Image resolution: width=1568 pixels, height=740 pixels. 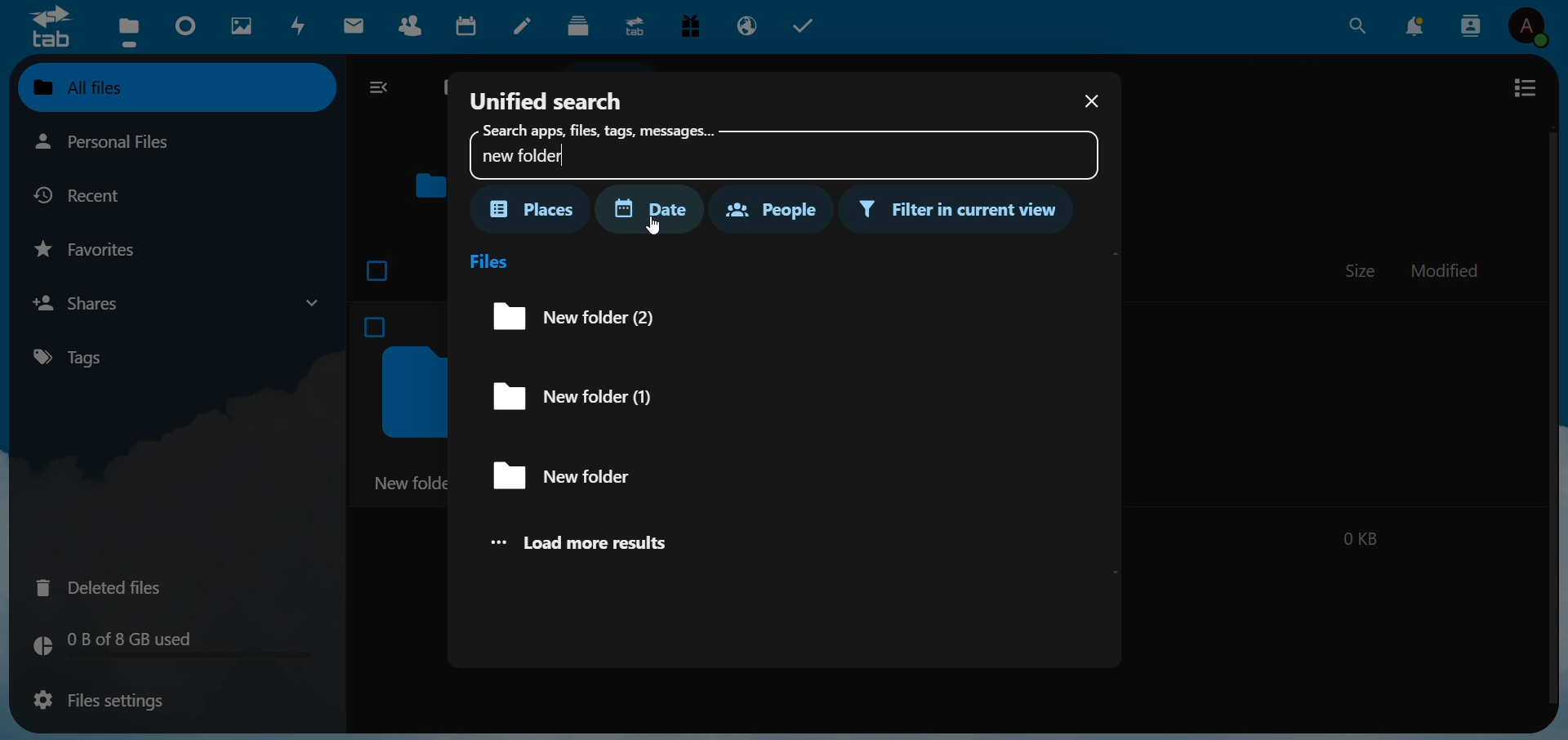 What do you see at coordinates (526, 27) in the screenshot?
I see `notes` at bounding box center [526, 27].